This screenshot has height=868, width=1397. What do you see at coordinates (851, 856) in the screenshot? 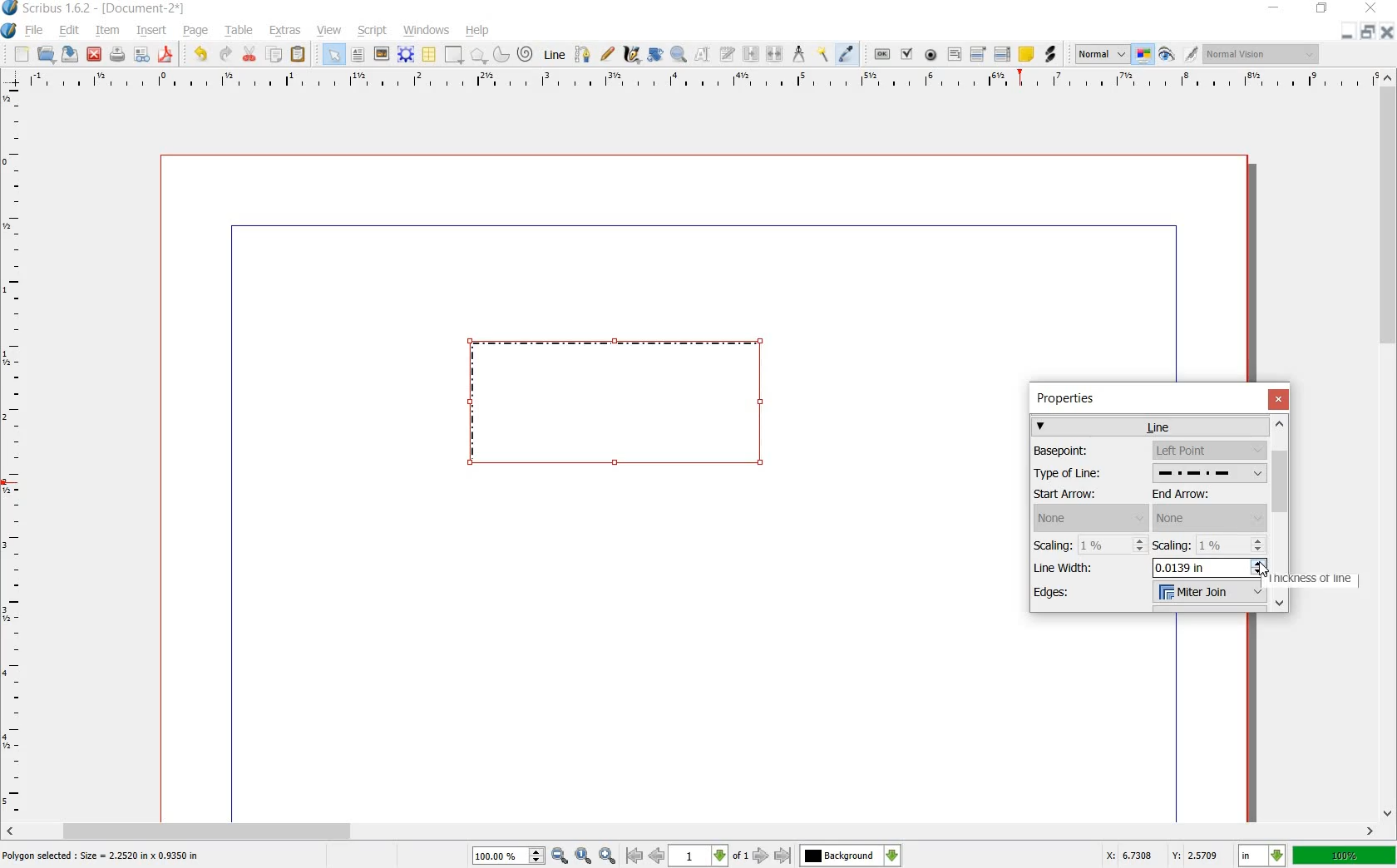
I see `select the current layer` at bounding box center [851, 856].